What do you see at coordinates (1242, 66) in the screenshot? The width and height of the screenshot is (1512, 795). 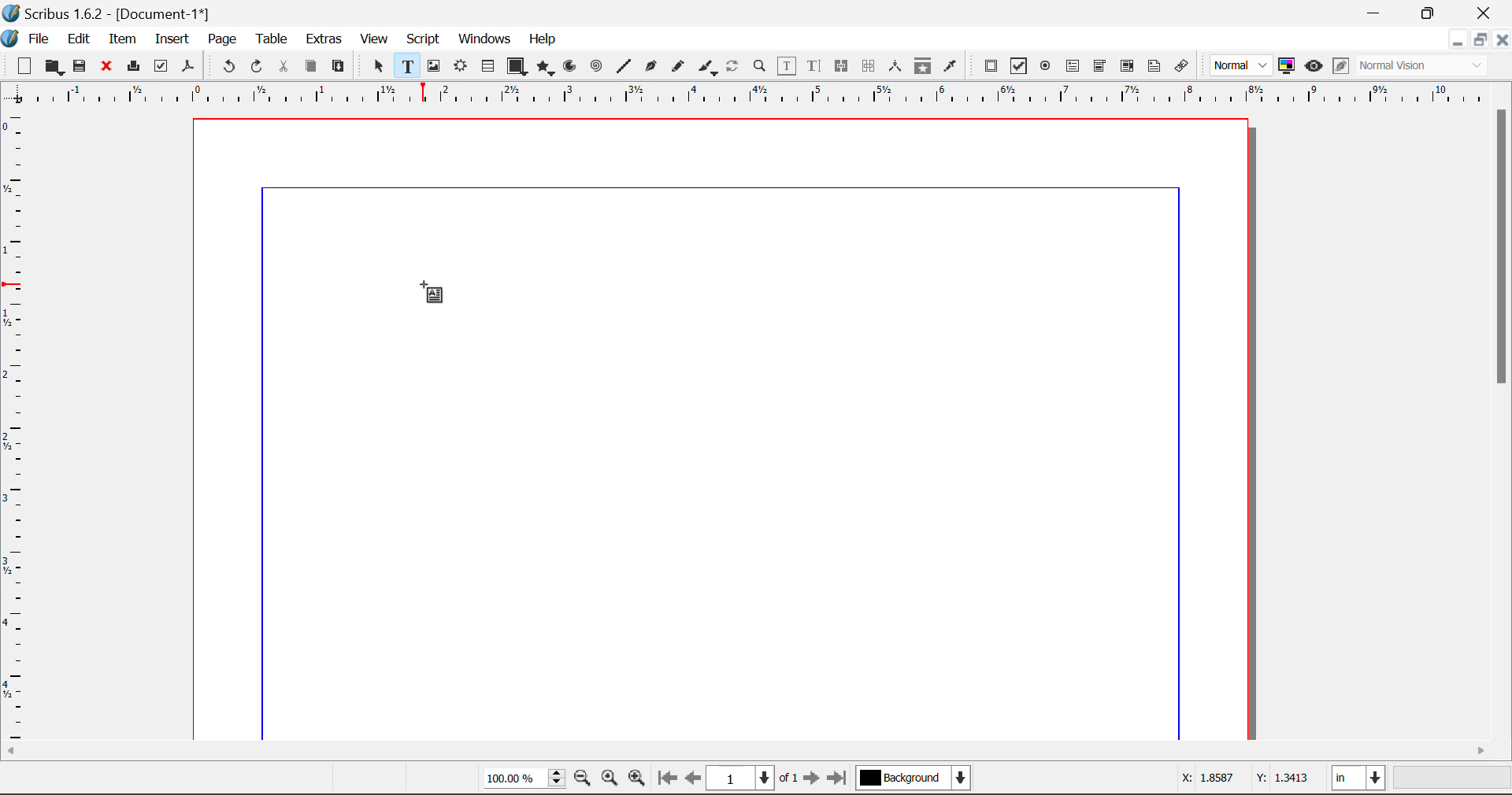 I see `Preview Mode` at bounding box center [1242, 66].